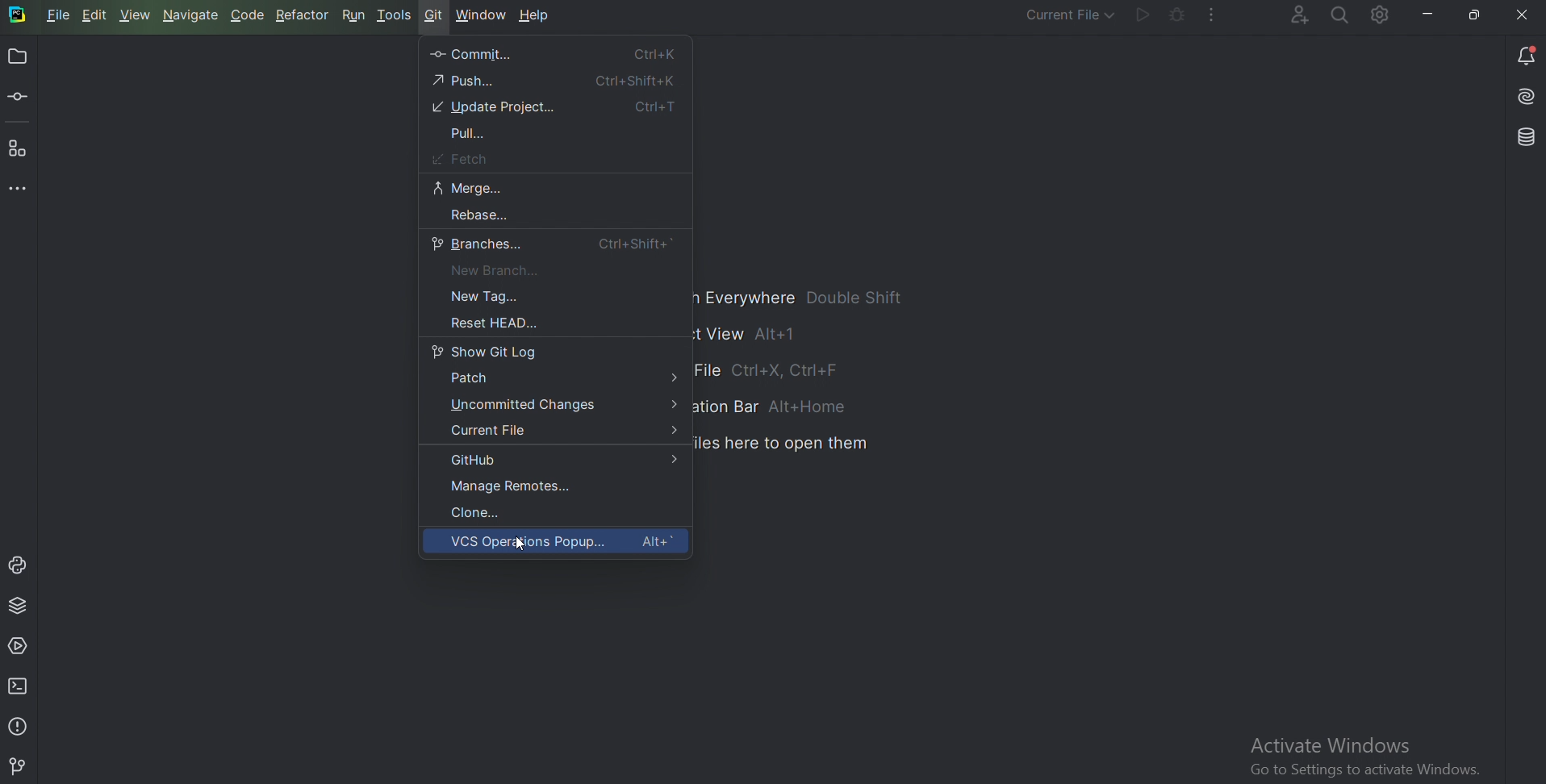 The image size is (1546, 784). Describe the element at coordinates (487, 324) in the screenshot. I see `Reset HEAD` at that location.